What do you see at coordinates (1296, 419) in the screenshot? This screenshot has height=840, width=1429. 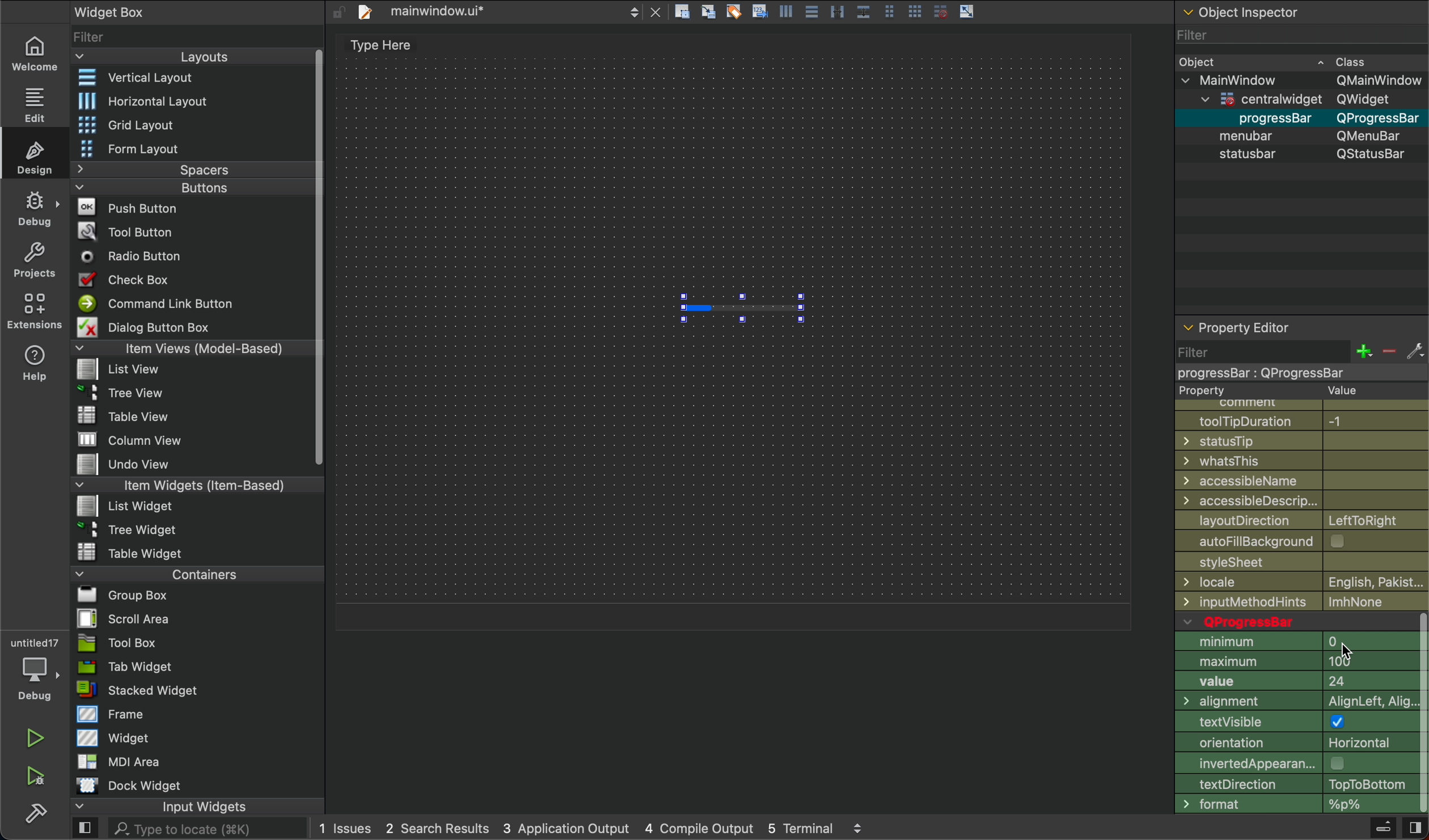 I see `tooltip duration` at bounding box center [1296, 419].